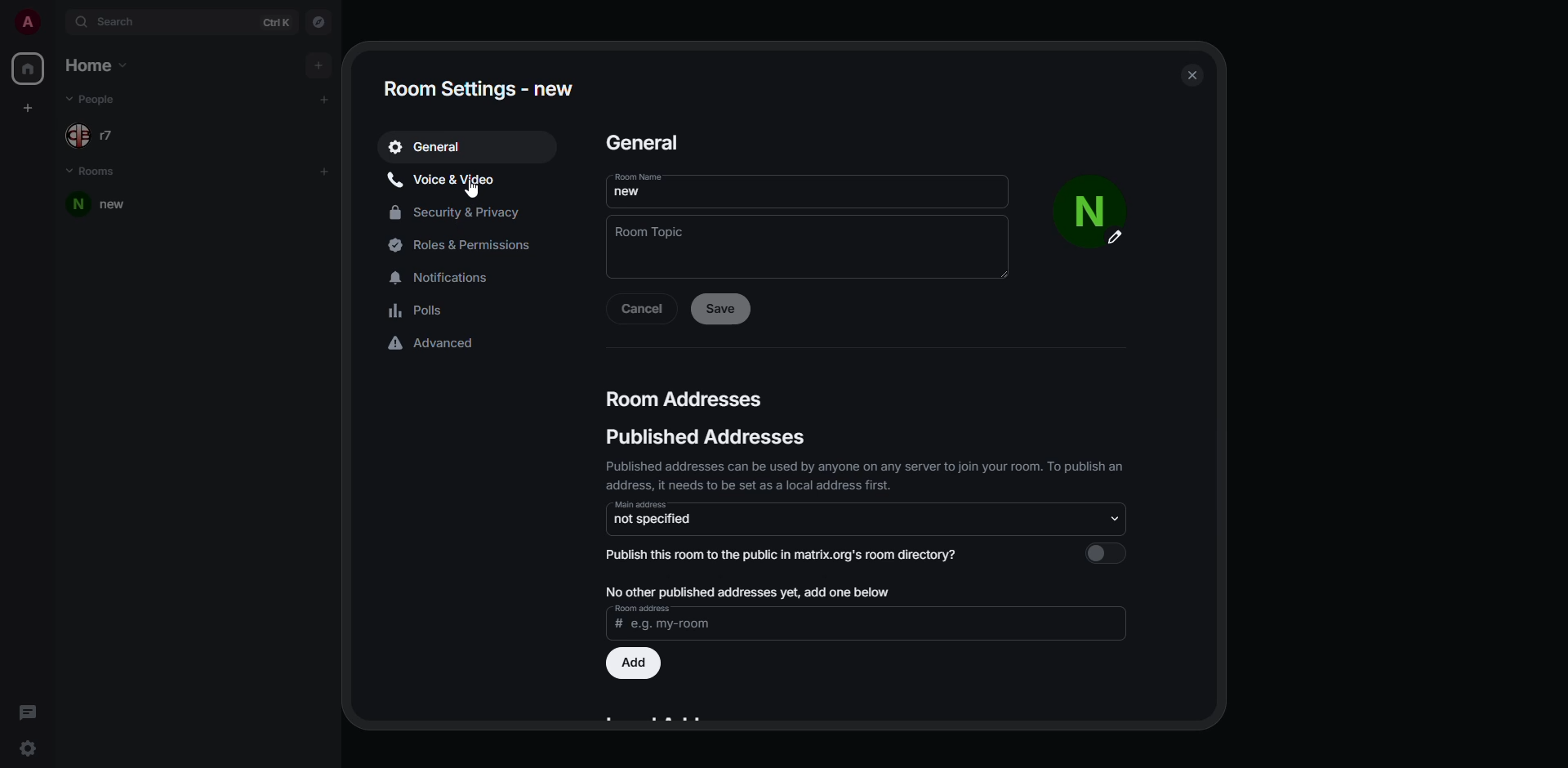  What do you see at coordinates (1116, 520) in the screenshot?
I see `drop down` at bounding box center [1116, 520].